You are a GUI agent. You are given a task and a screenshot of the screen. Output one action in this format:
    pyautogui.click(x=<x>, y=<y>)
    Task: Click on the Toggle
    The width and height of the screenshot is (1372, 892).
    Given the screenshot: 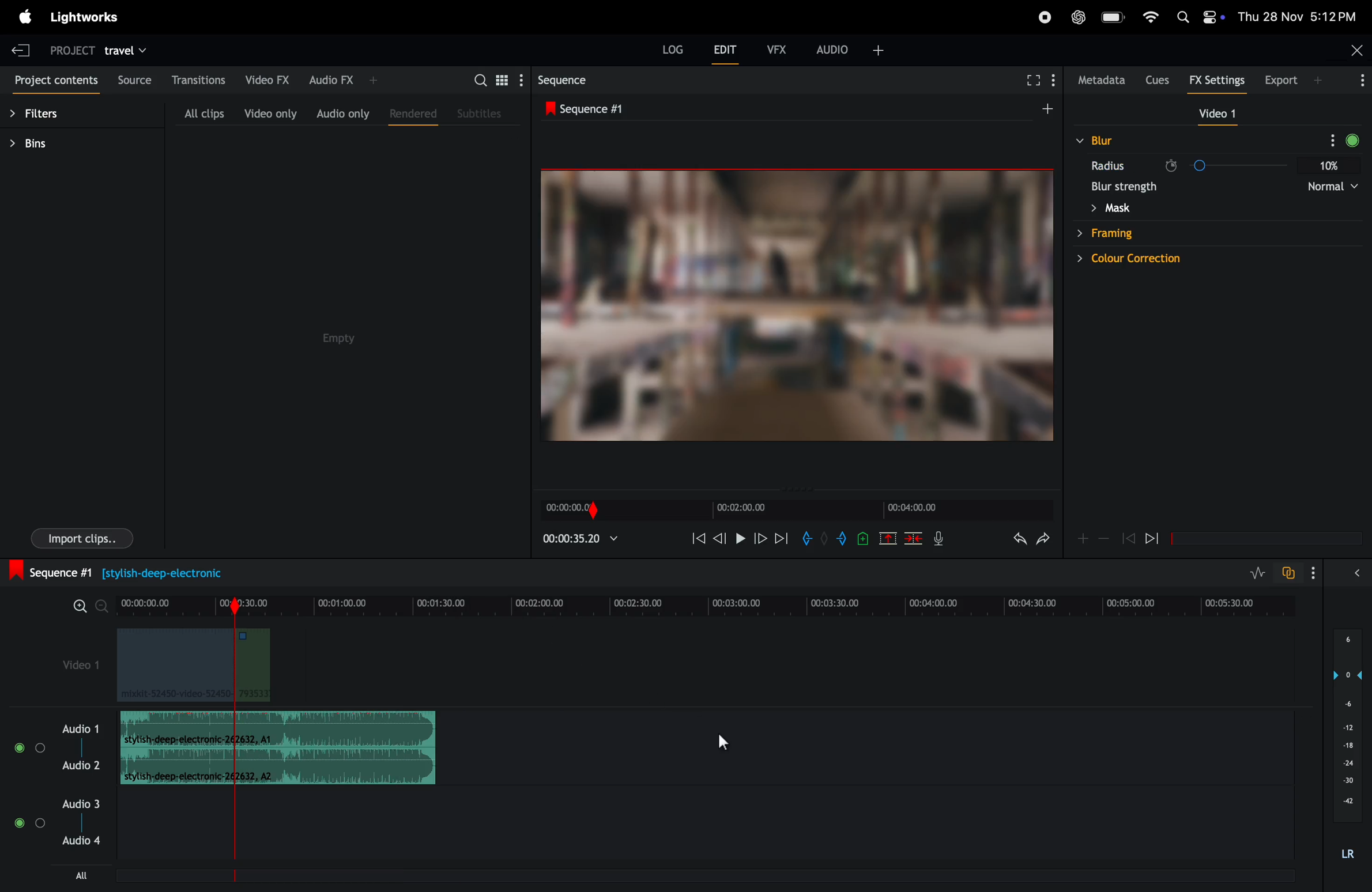 What is the action you would take?
    pyautogui.click(x=17, y=823)
    